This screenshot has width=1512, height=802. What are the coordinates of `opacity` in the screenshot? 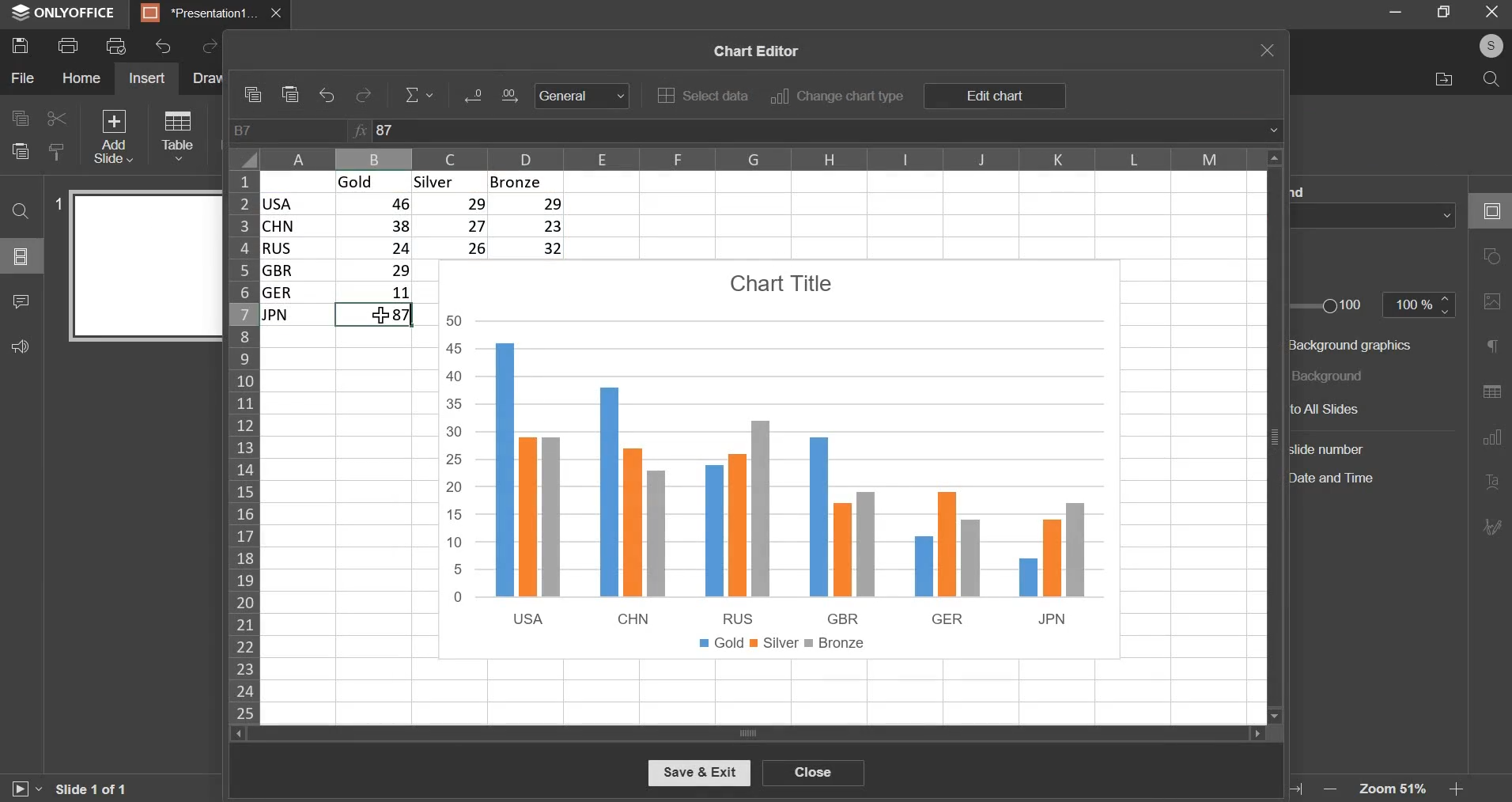 It's located at (1421, 306).